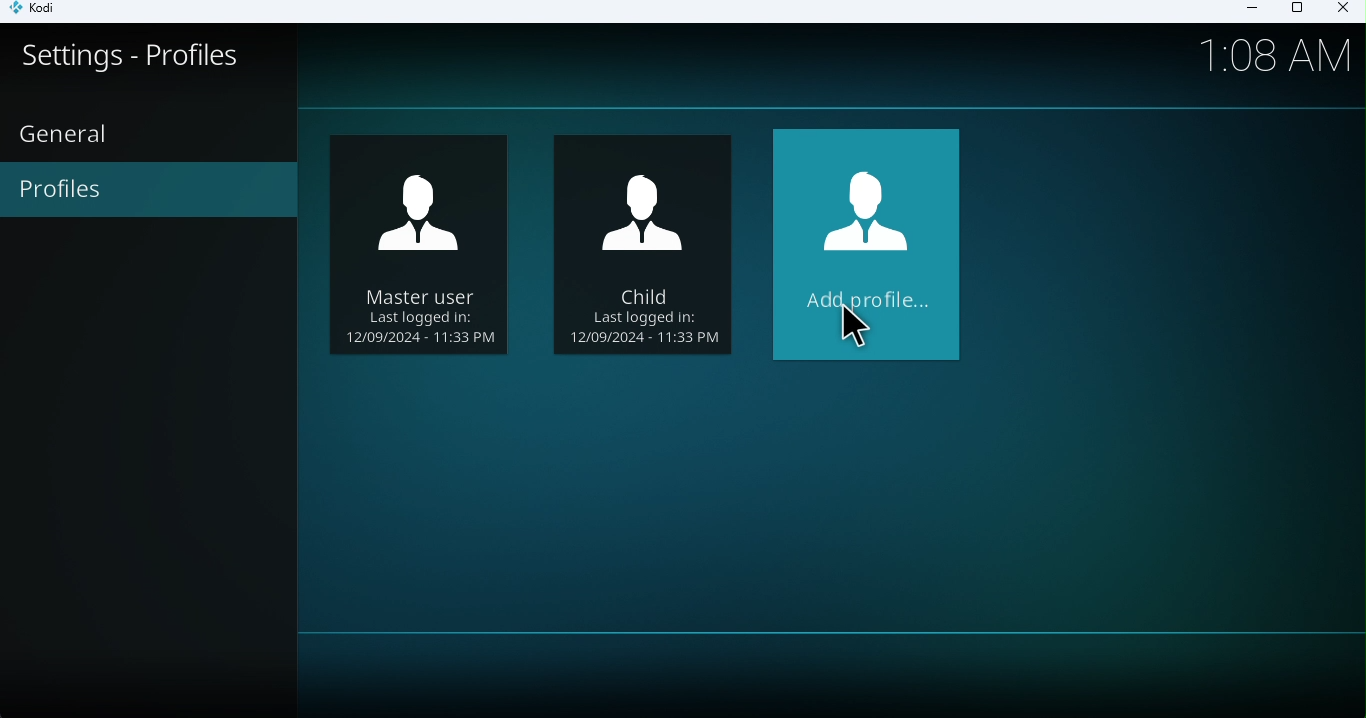  Describe the element at coordinates (1277, 53) in the screenshot. I see `Time` at that location.